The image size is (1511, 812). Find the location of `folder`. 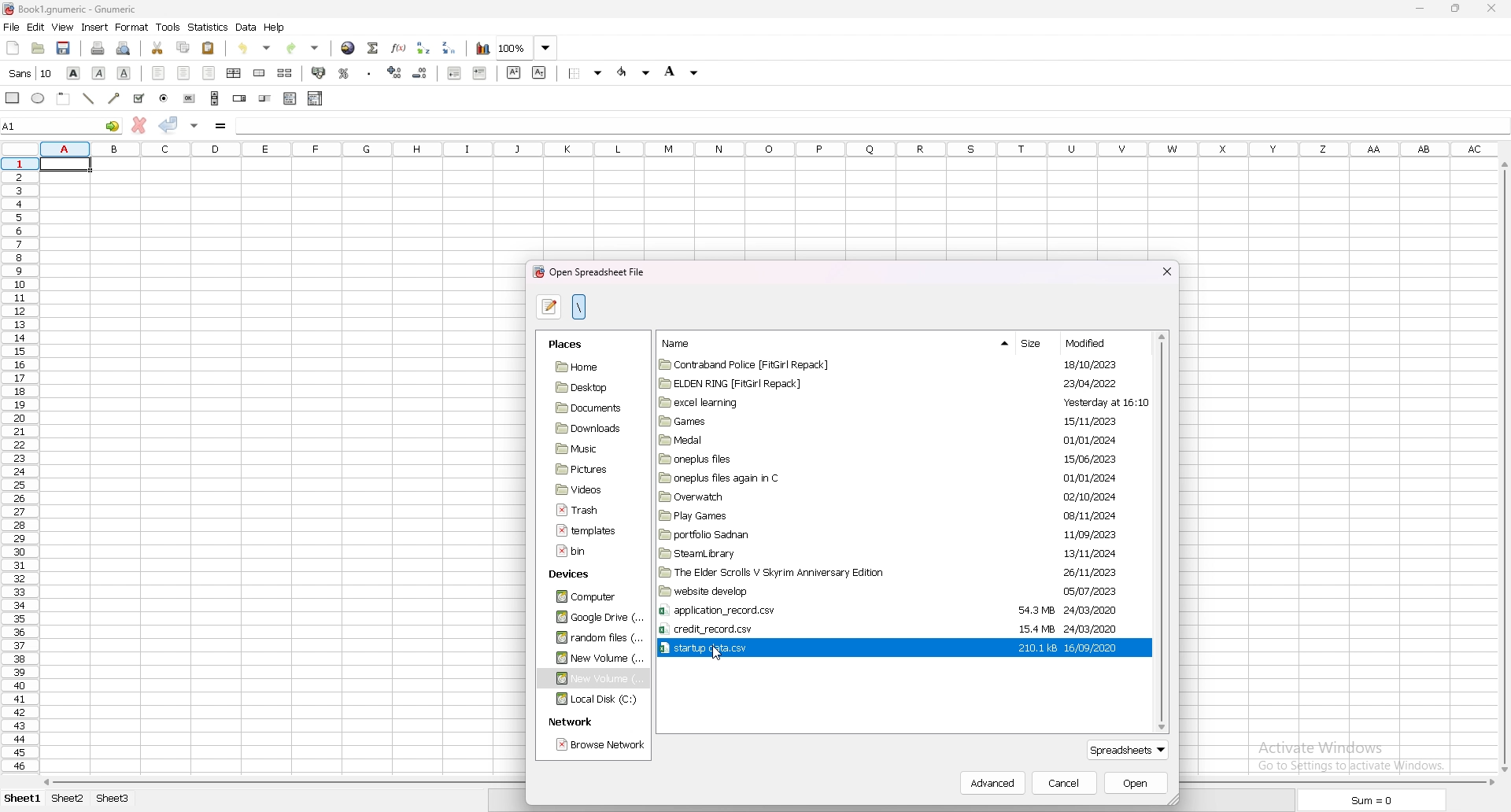

folder is located at coordinates (586, 429).